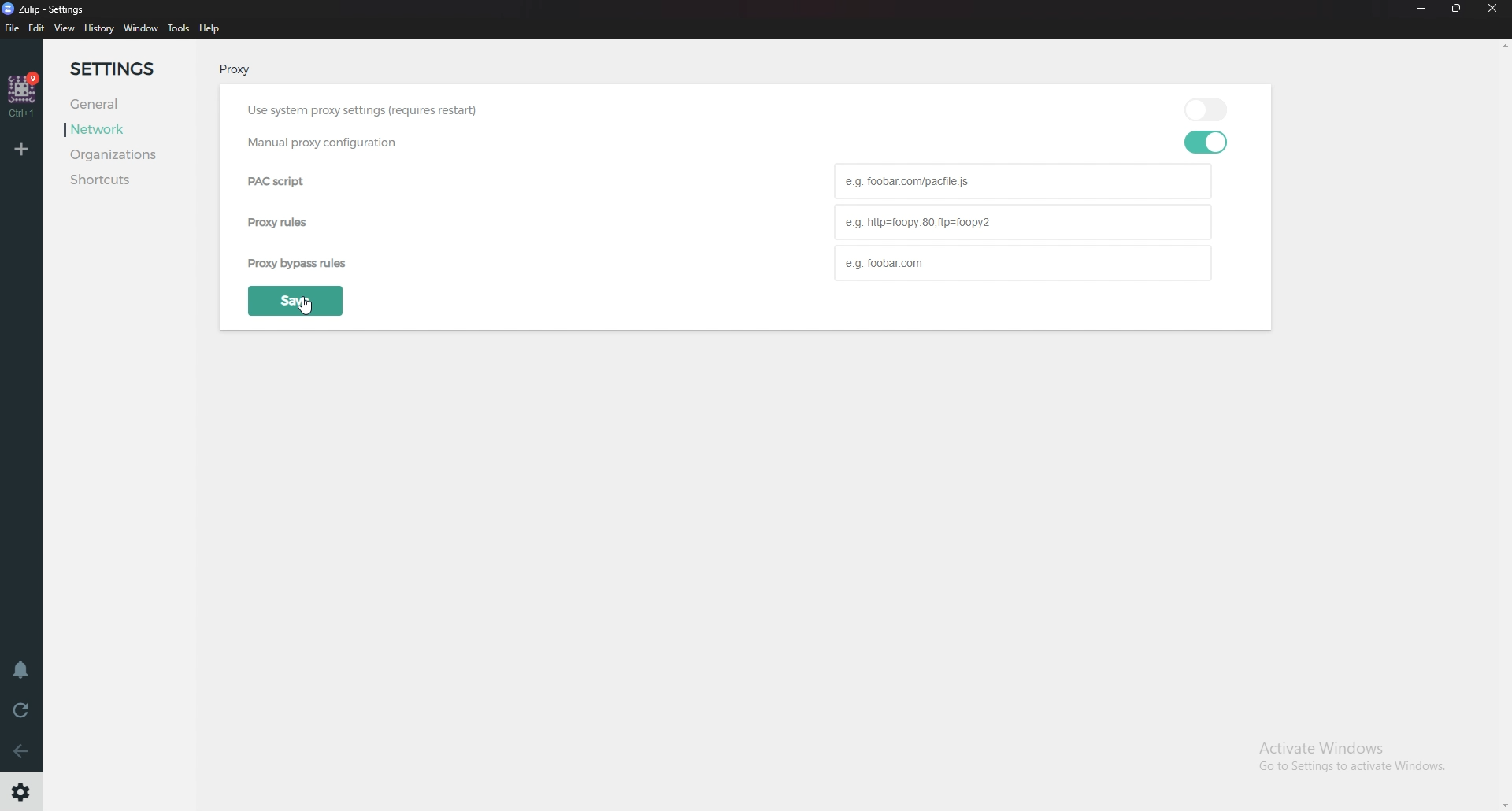 The image size is (1512, 811). I want to click on Edit, so click(38, 29).